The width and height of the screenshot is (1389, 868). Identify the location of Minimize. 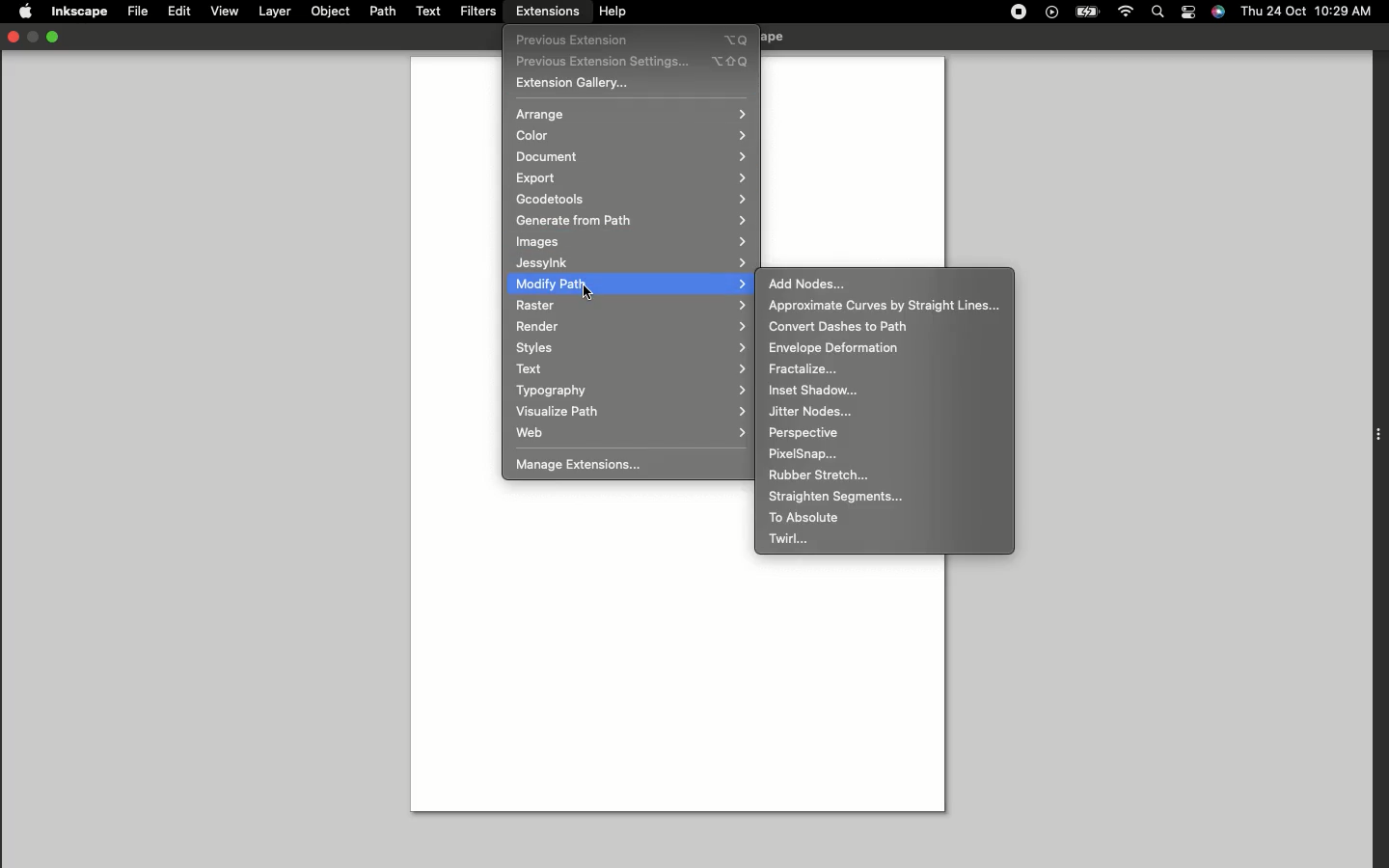
(57, 39).